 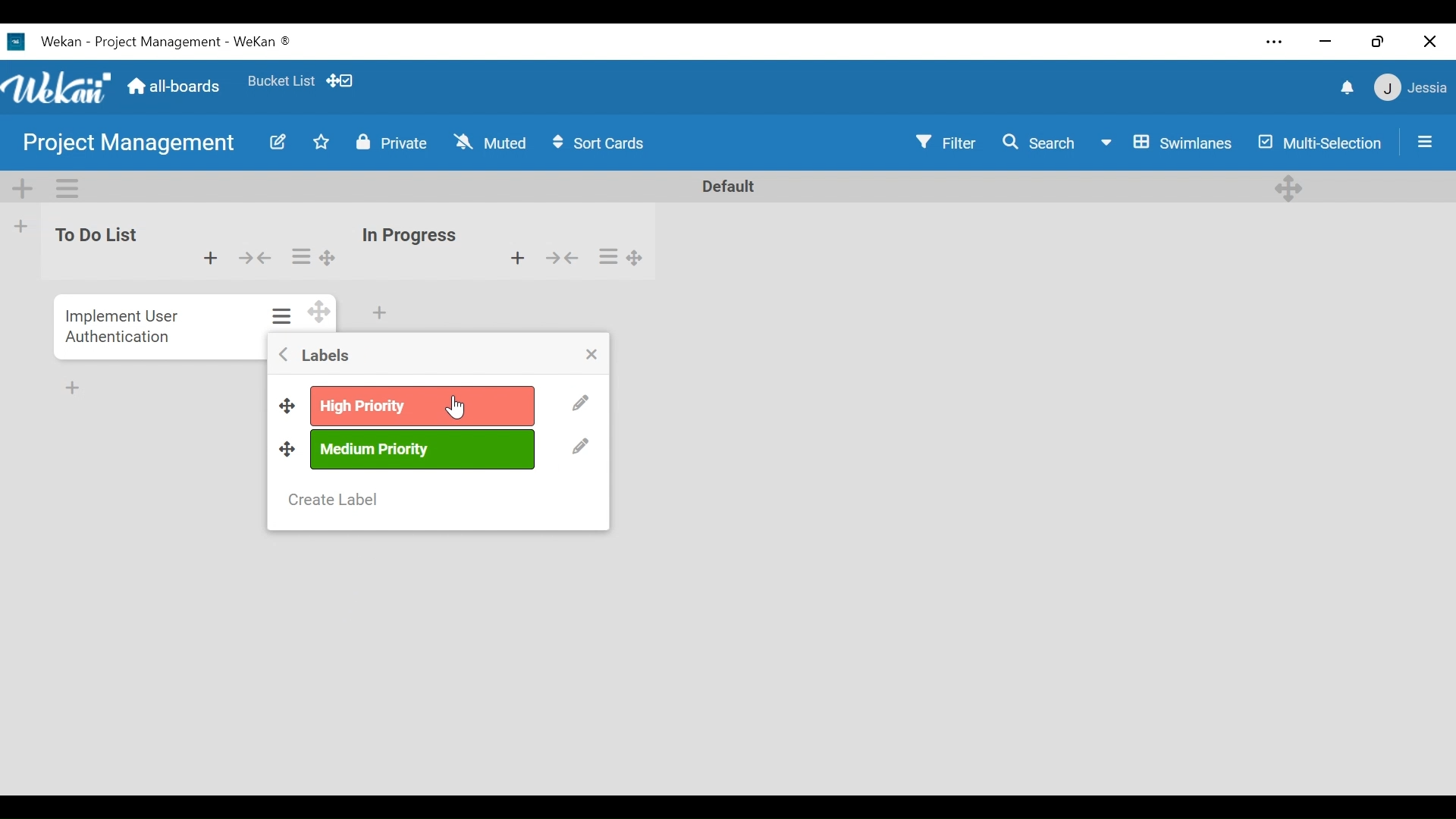 What do you see at coordinates (14, 42) in the screenshot?
I see `wekan logo` at bounding box center [14, 42].